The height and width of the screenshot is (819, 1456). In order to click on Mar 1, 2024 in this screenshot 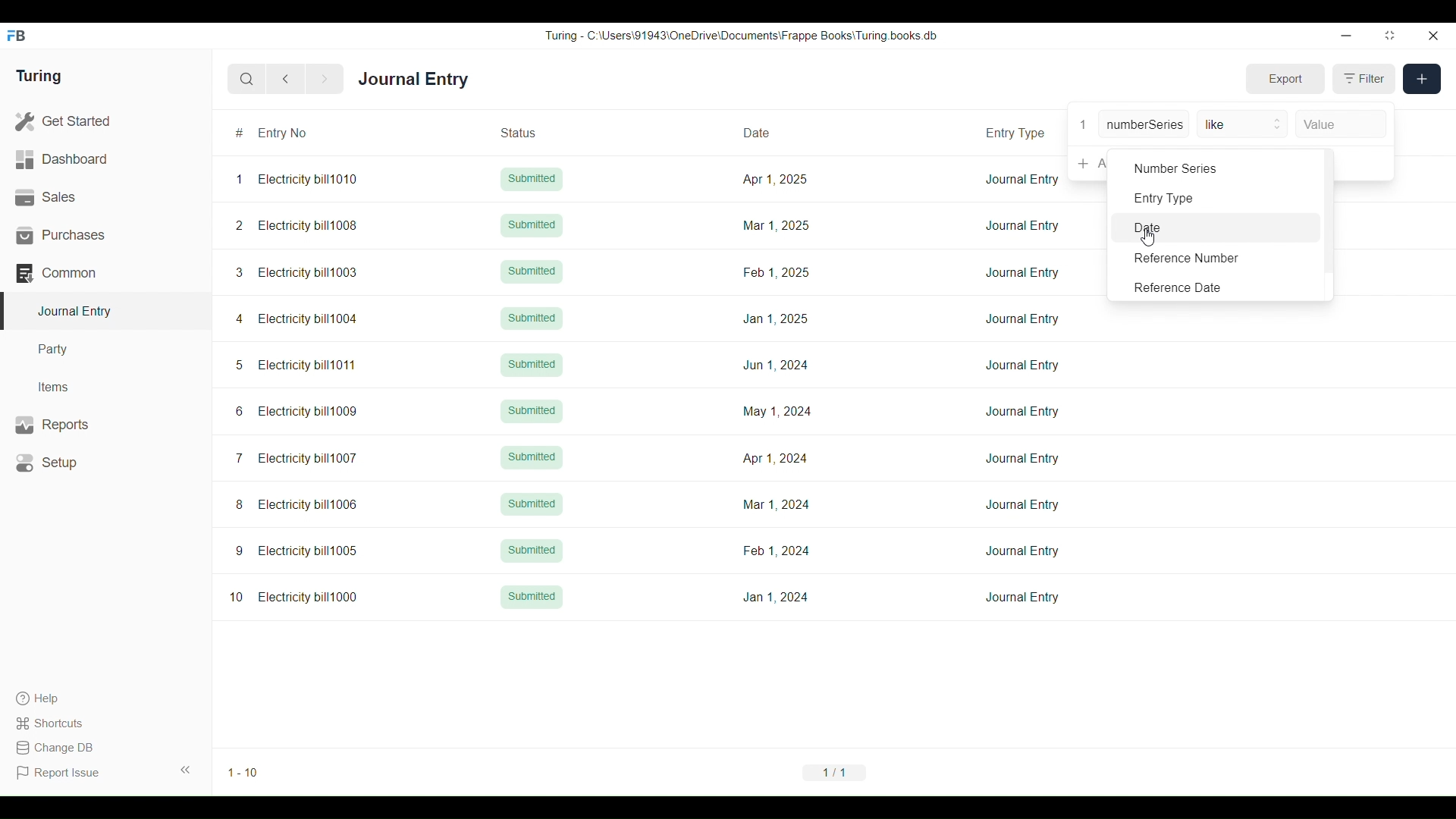, I will do `click(777, 504)`.